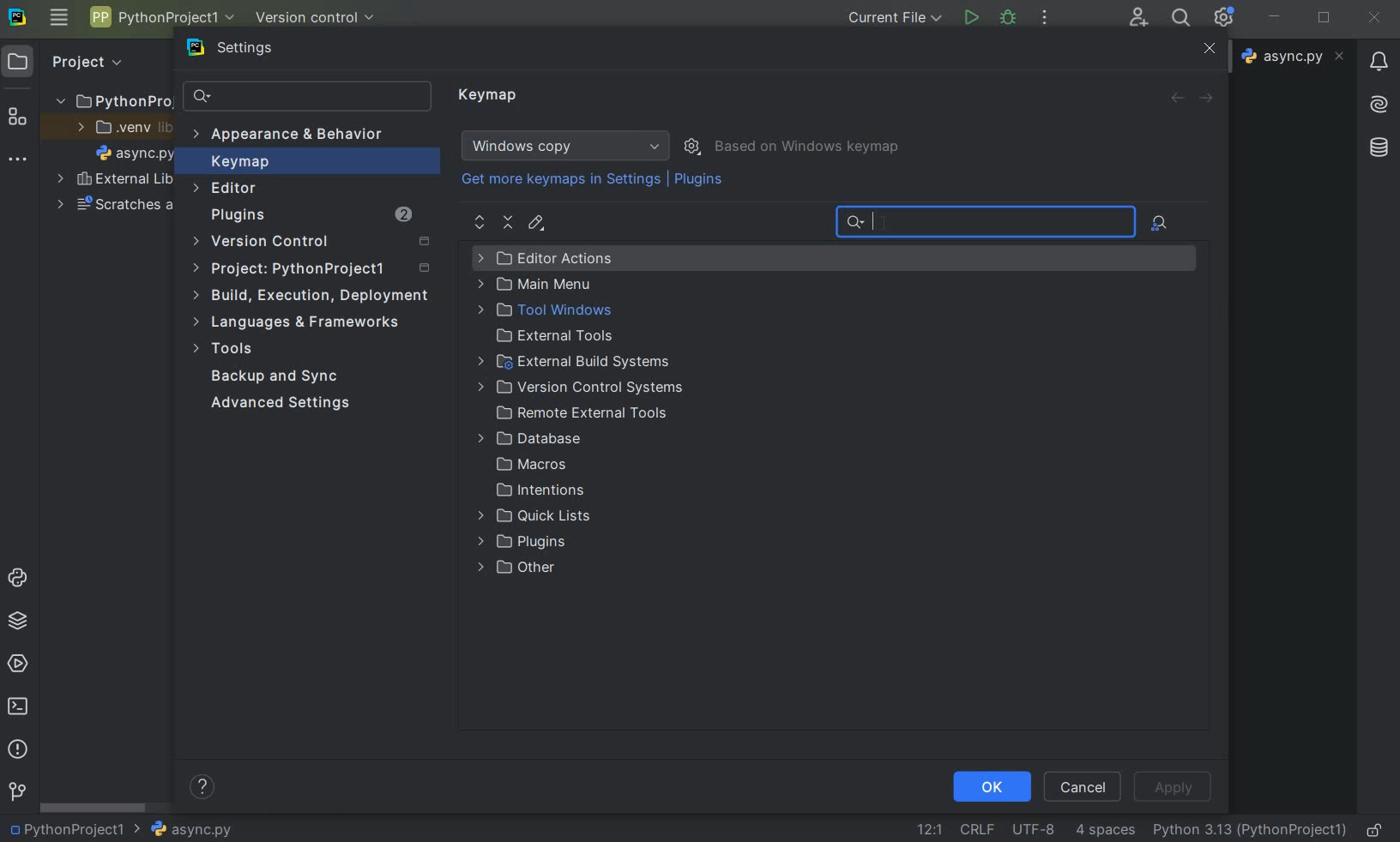 This screenshot has height=842, width=1400. I want to click on file name, so click(183, 829).